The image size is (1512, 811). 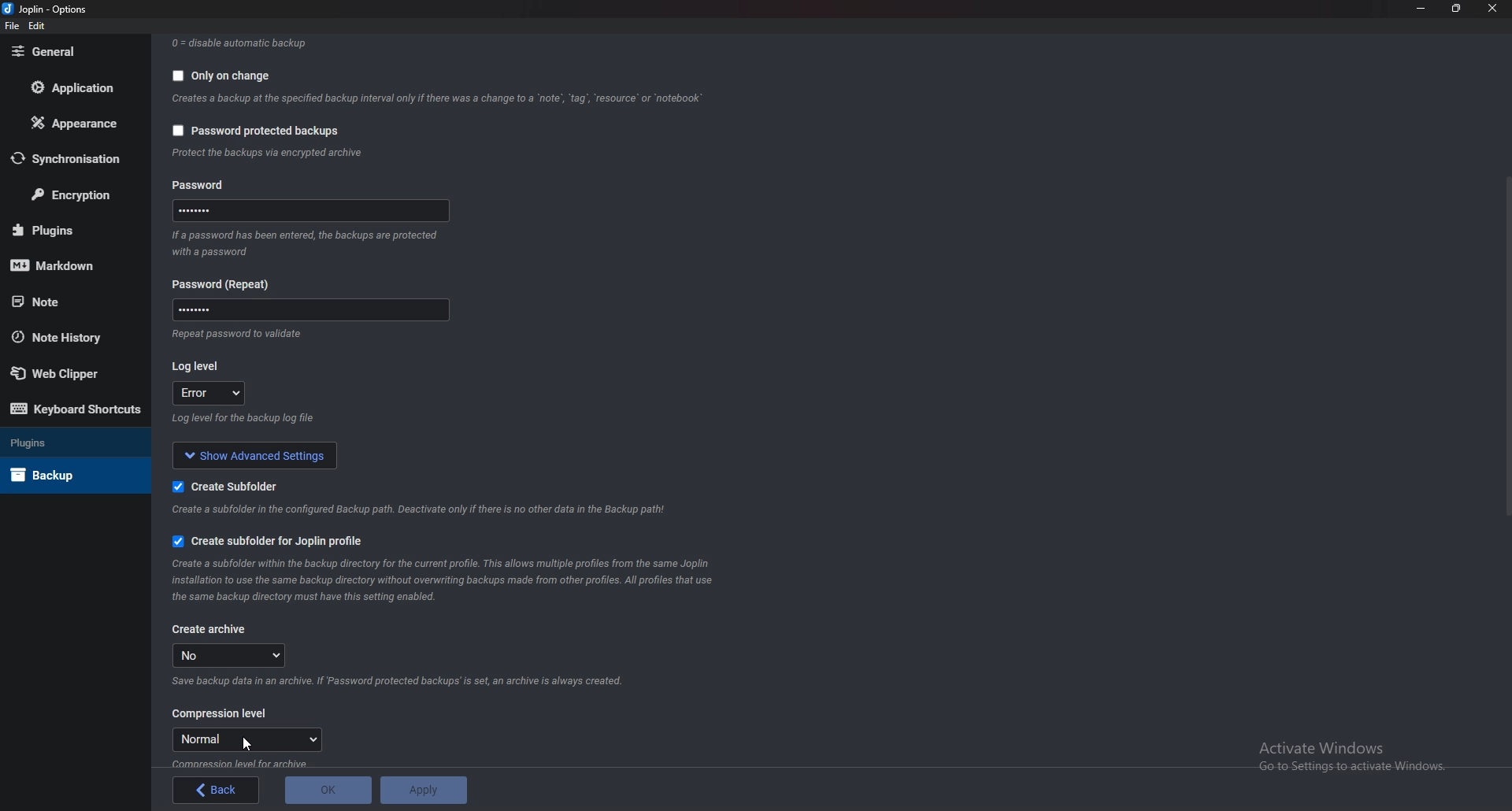 I want to click on cursor, so click(x=244, y=746).